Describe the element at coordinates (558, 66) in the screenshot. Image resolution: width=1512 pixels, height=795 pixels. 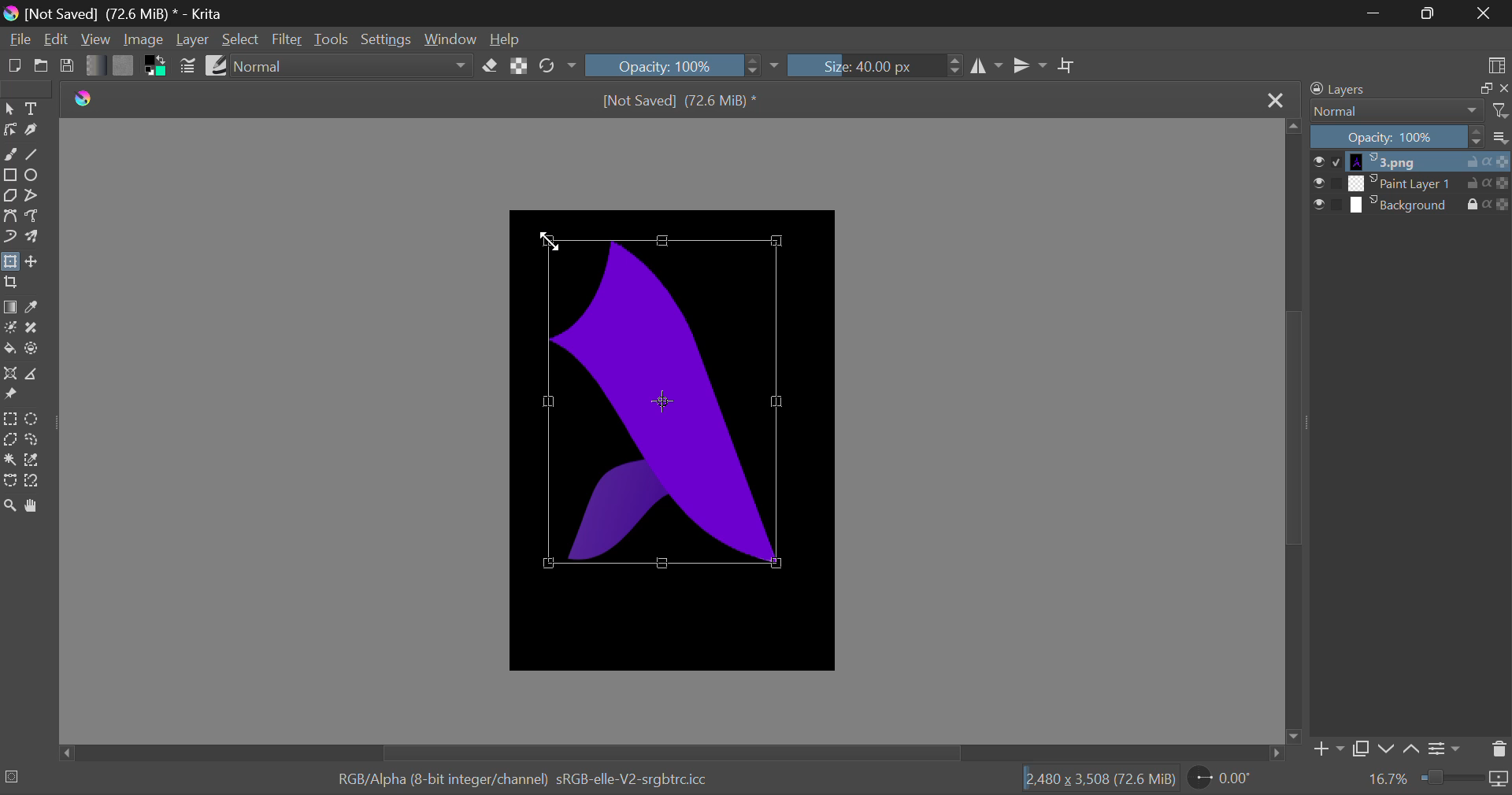
I see `Rotate Image` at that location.